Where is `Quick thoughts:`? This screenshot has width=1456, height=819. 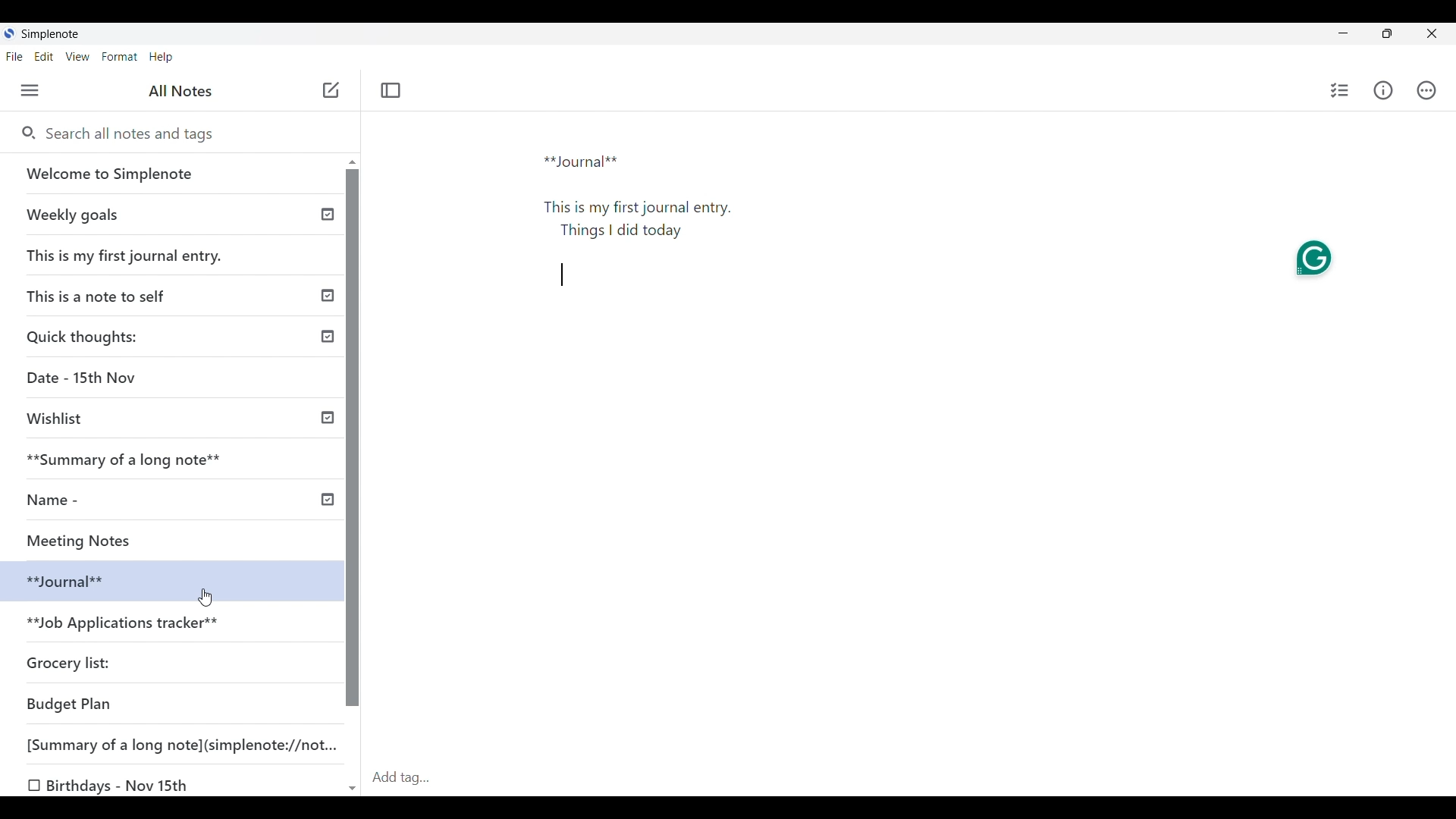
Quick thoughts: is located at coordinates (85, 336).